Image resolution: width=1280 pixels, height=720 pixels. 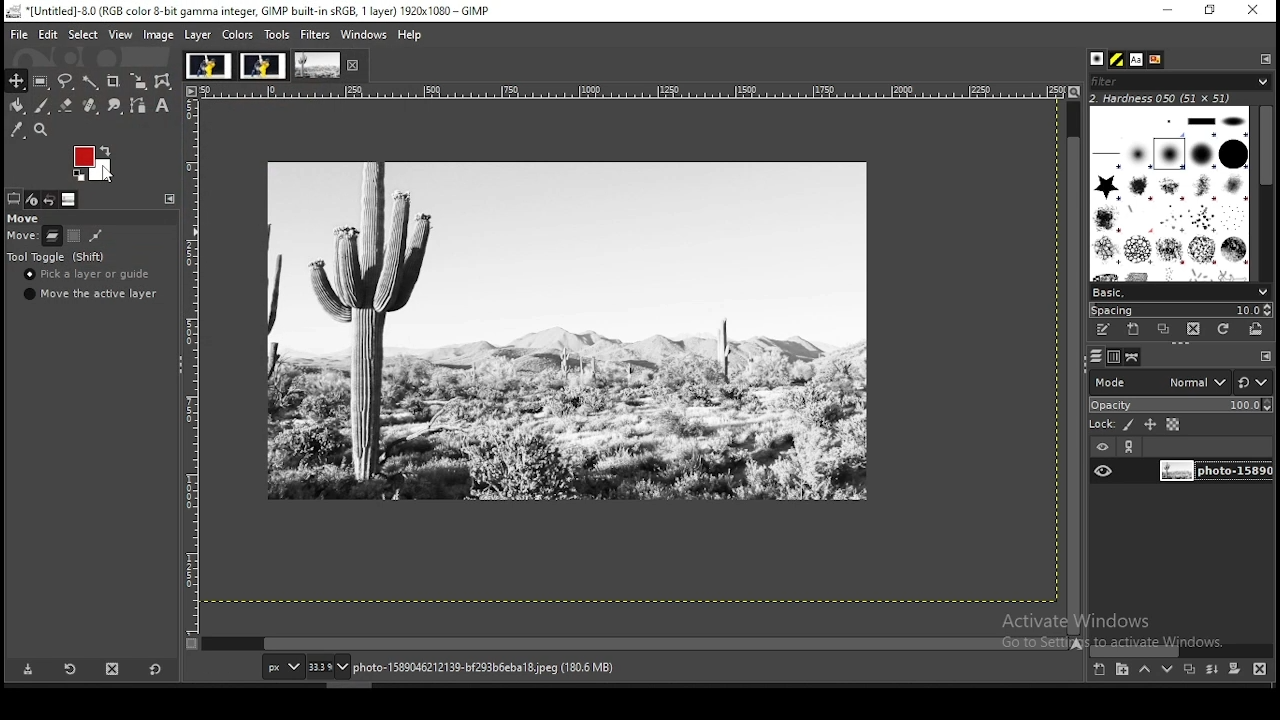 I want to click on edit, so click(x=50, y=34).